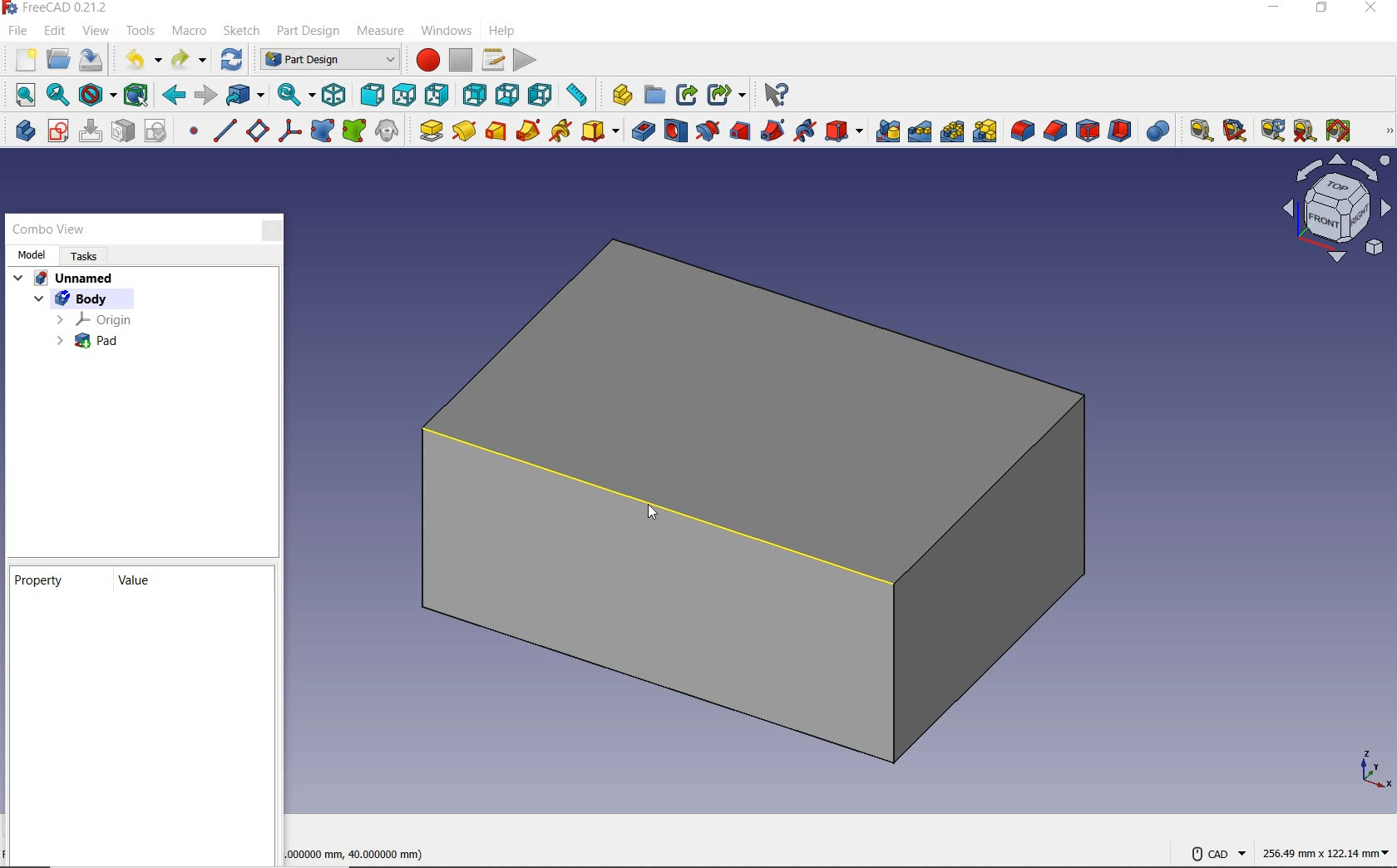 This screenshot has height=868, width=1397. I want to click on Part Design, so click(329, 60).